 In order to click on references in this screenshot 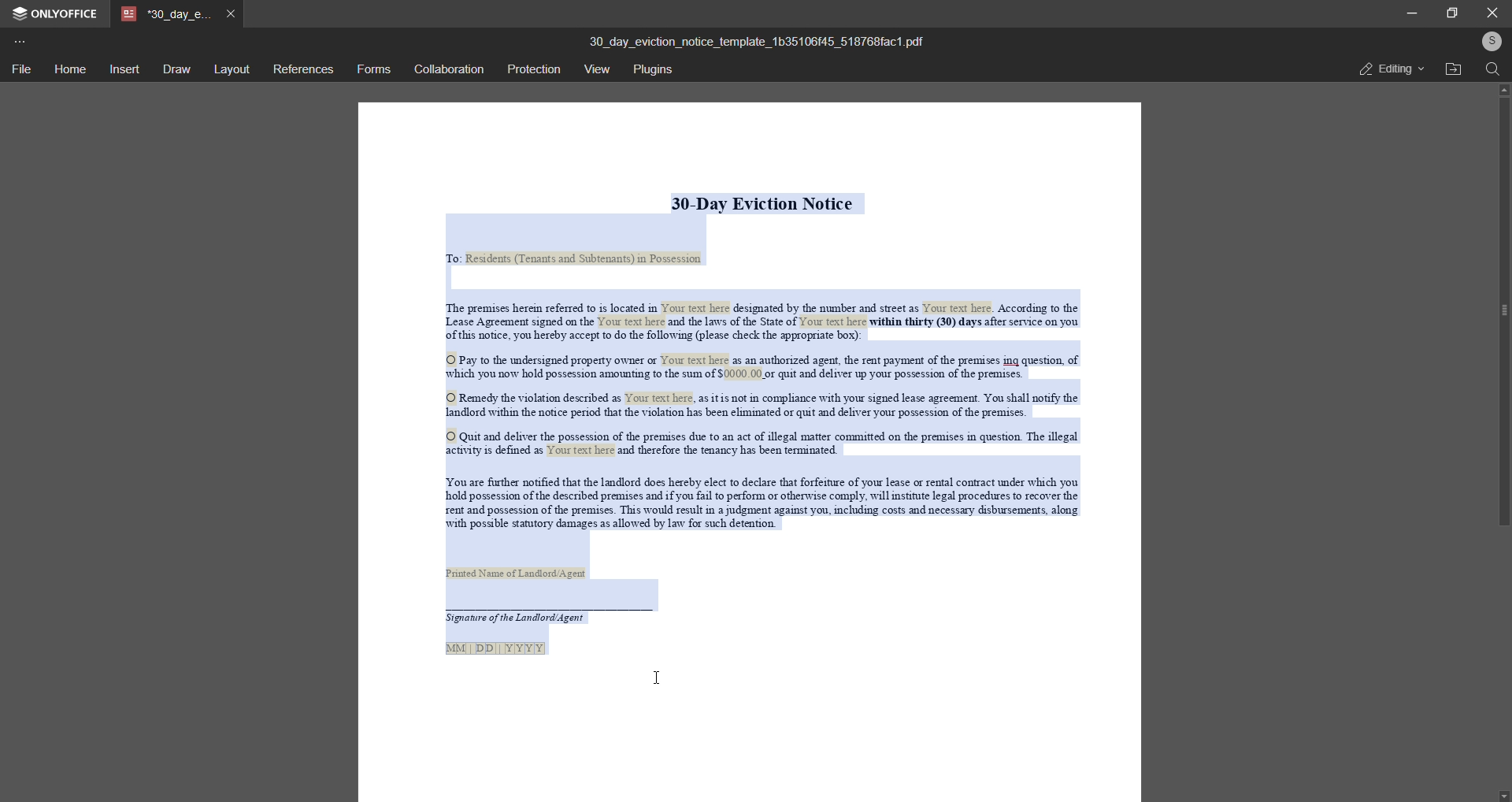, I will do `click(302, 69)`.